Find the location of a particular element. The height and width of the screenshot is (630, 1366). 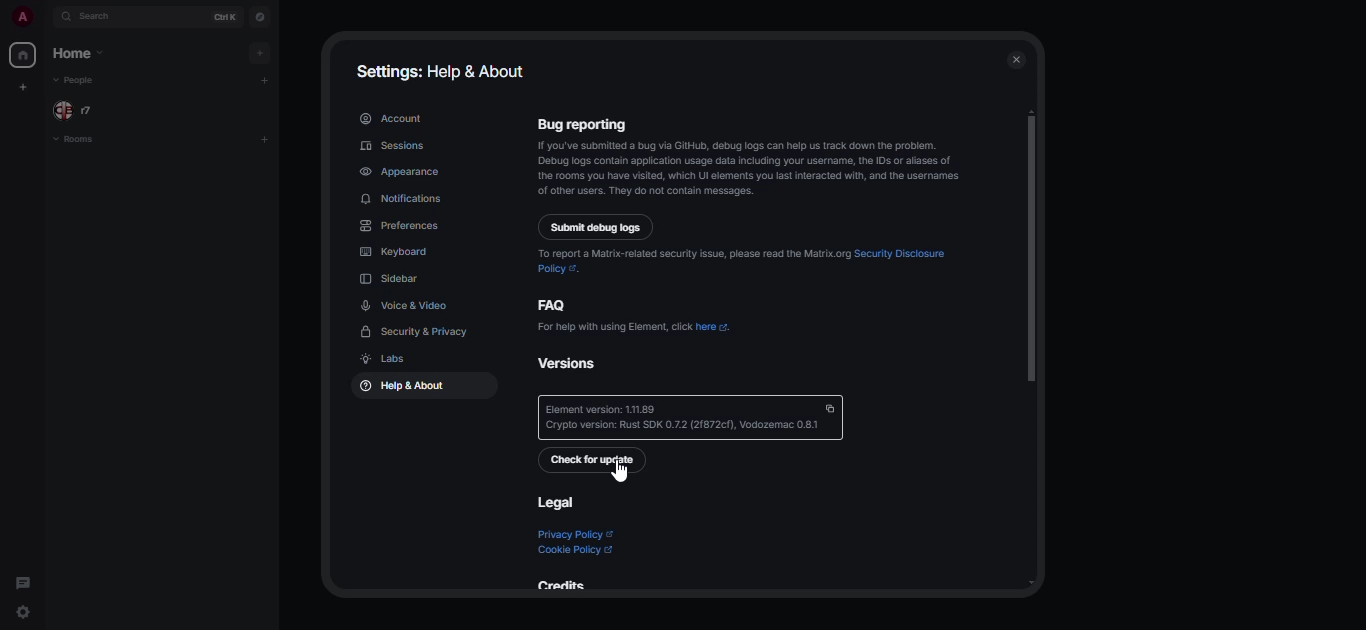

people is located at coordinates (76, 80).